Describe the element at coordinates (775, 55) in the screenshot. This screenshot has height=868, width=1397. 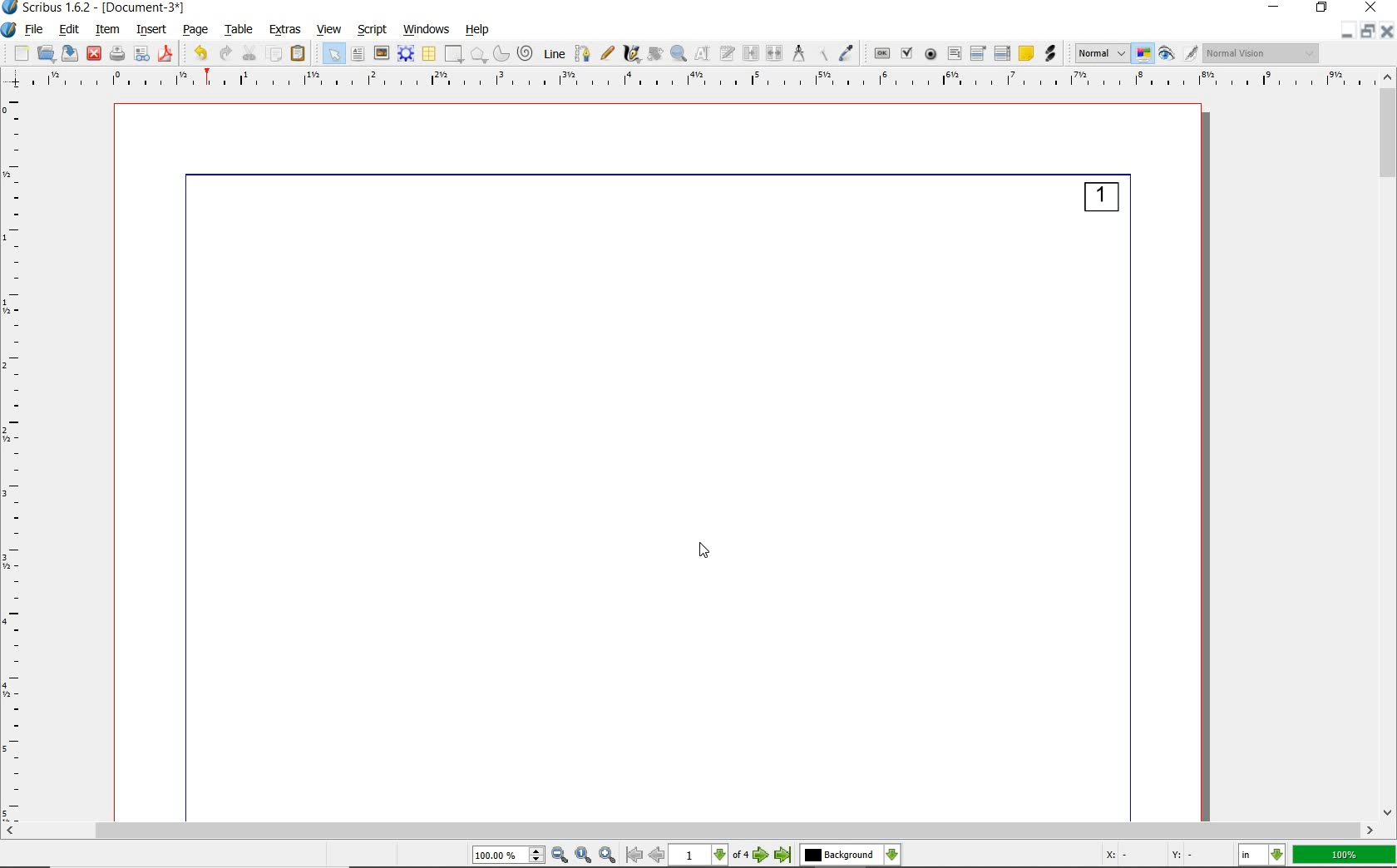
I see `unlink text frames` at that location.